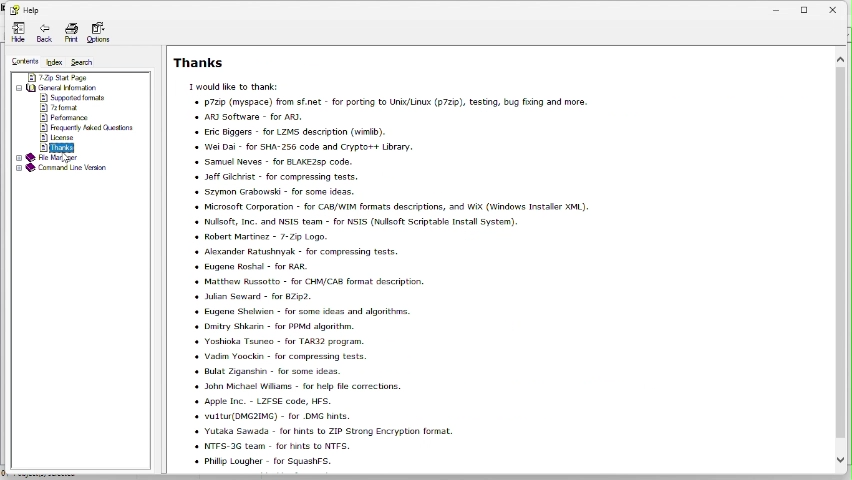 The image size is (852, 480). Describe the element at coordinates (840, 263) in the screenshot. I see `Vertical scroll bar` at that location.